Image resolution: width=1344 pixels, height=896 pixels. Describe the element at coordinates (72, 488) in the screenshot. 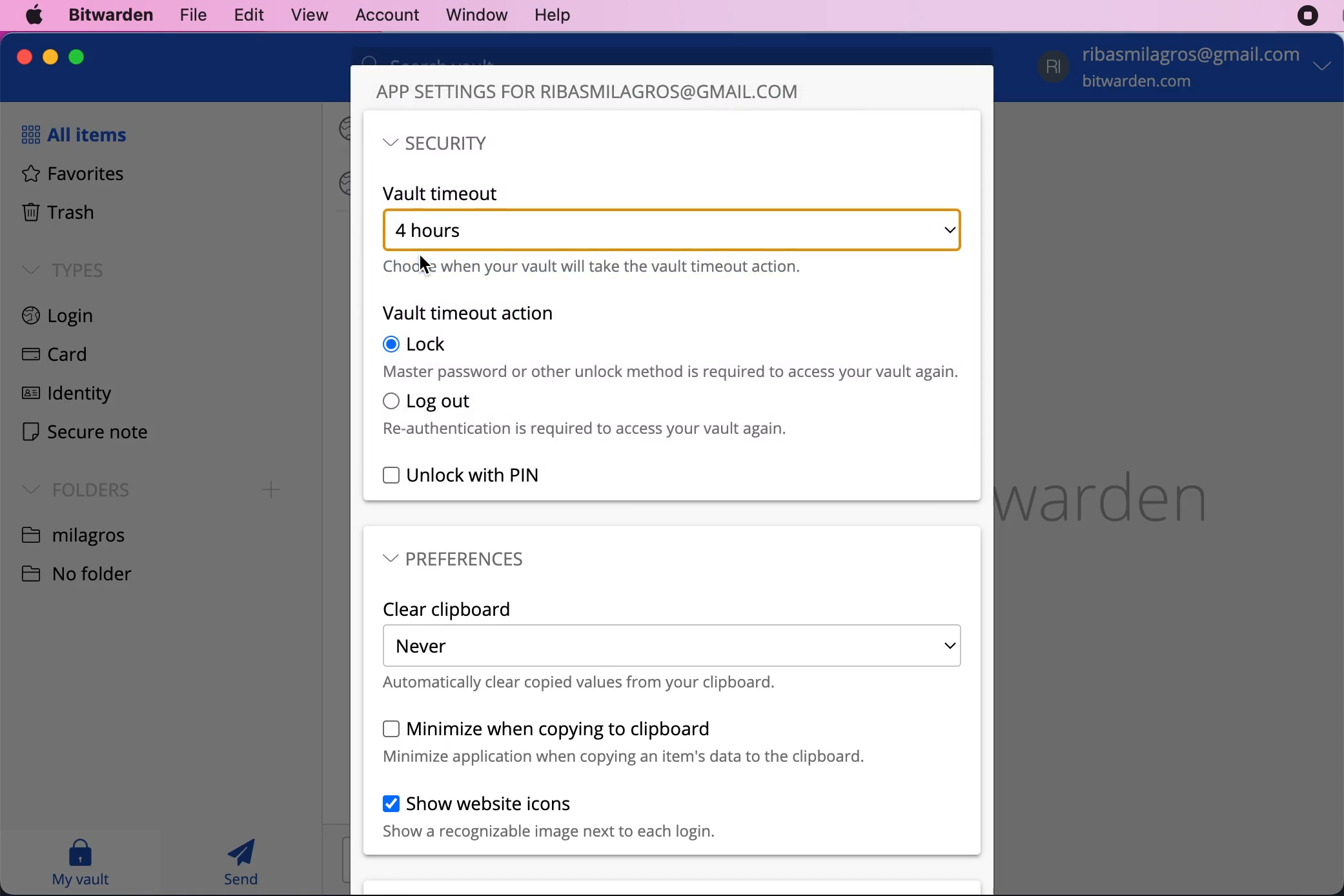

I see `folders` at that location.